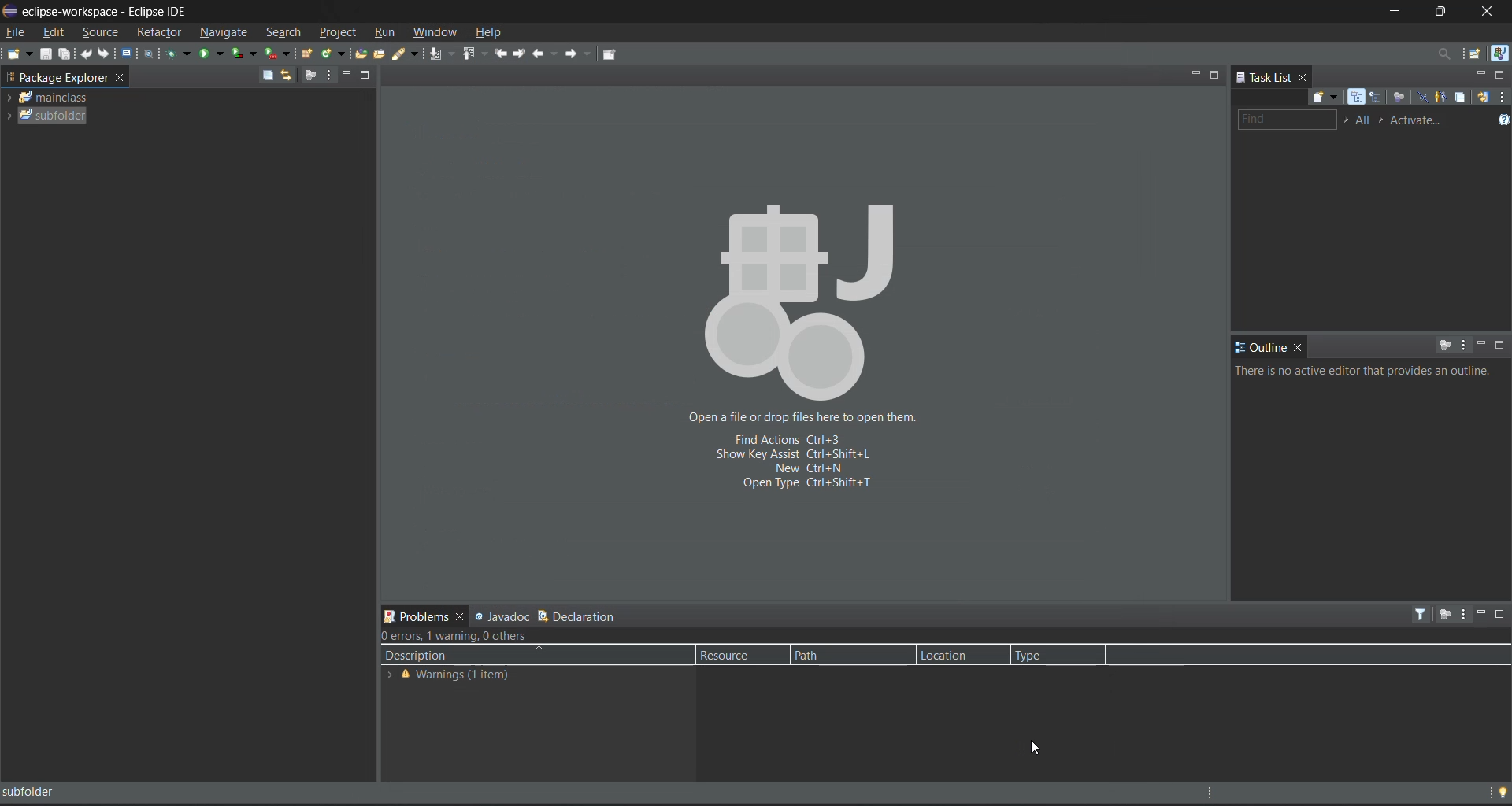 The width and height of the screenshot is (1512, 806). I want to click on maximize, so click(1501, 345).